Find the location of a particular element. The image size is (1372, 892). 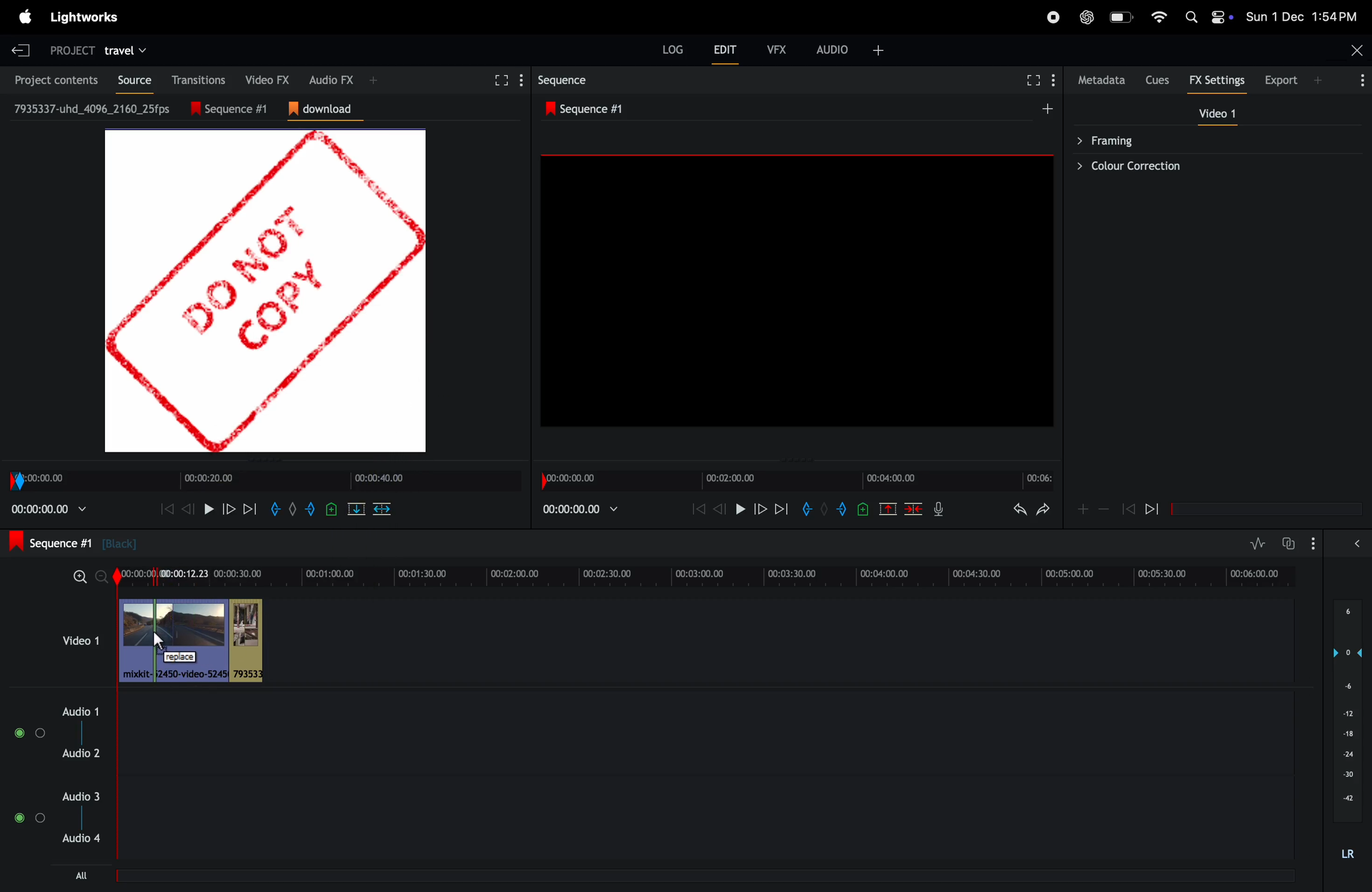

all is located at coordinates (82, 875).